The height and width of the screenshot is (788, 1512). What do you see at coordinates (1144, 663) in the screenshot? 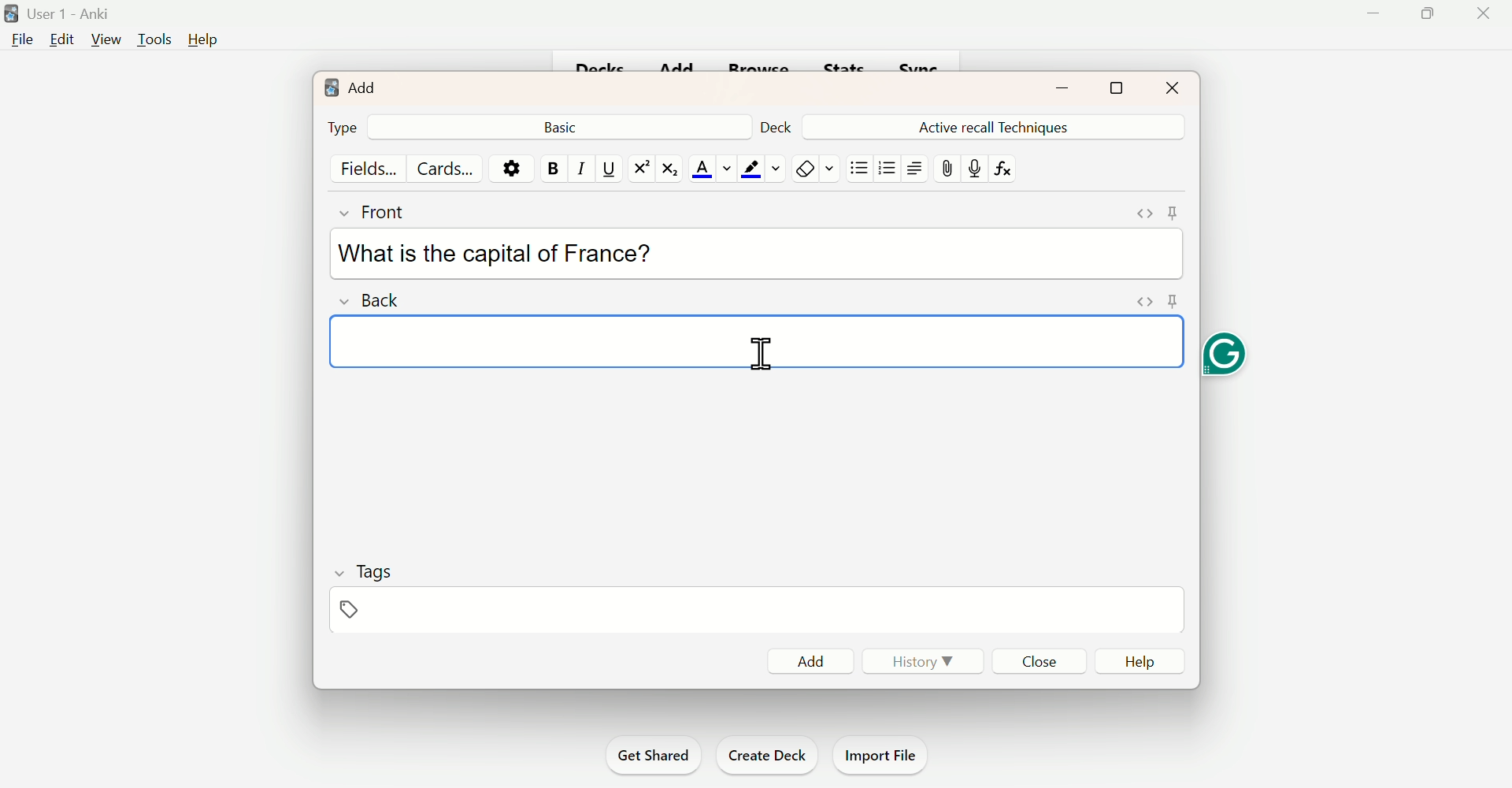
I see `Help` at bounding box center [1144, 663].